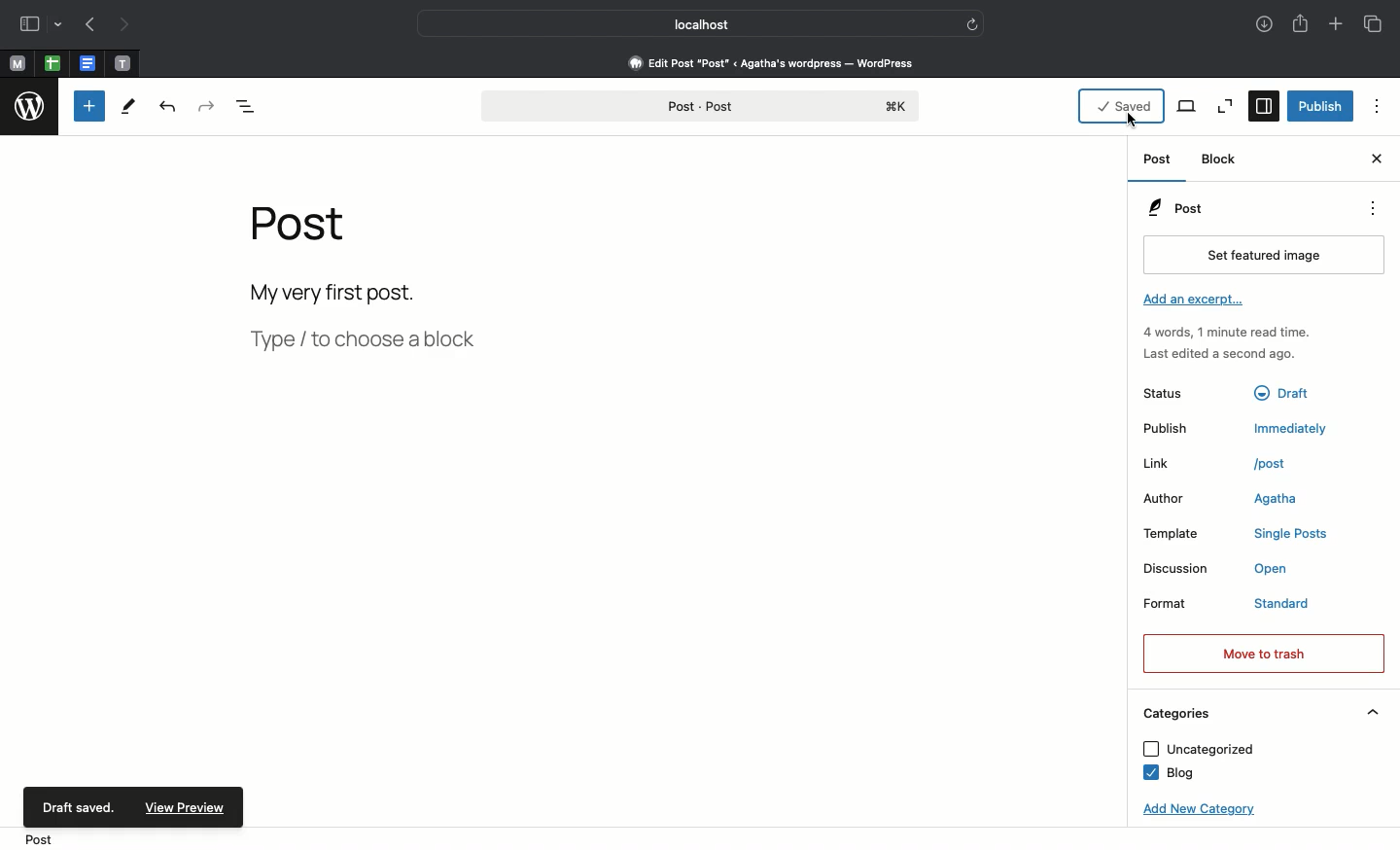 The width and height of the screenshot is (1400, 850). What do you see at coordinates (127, 110) in the screenshot?
I see `Tools` at bounding box center [127, 110].